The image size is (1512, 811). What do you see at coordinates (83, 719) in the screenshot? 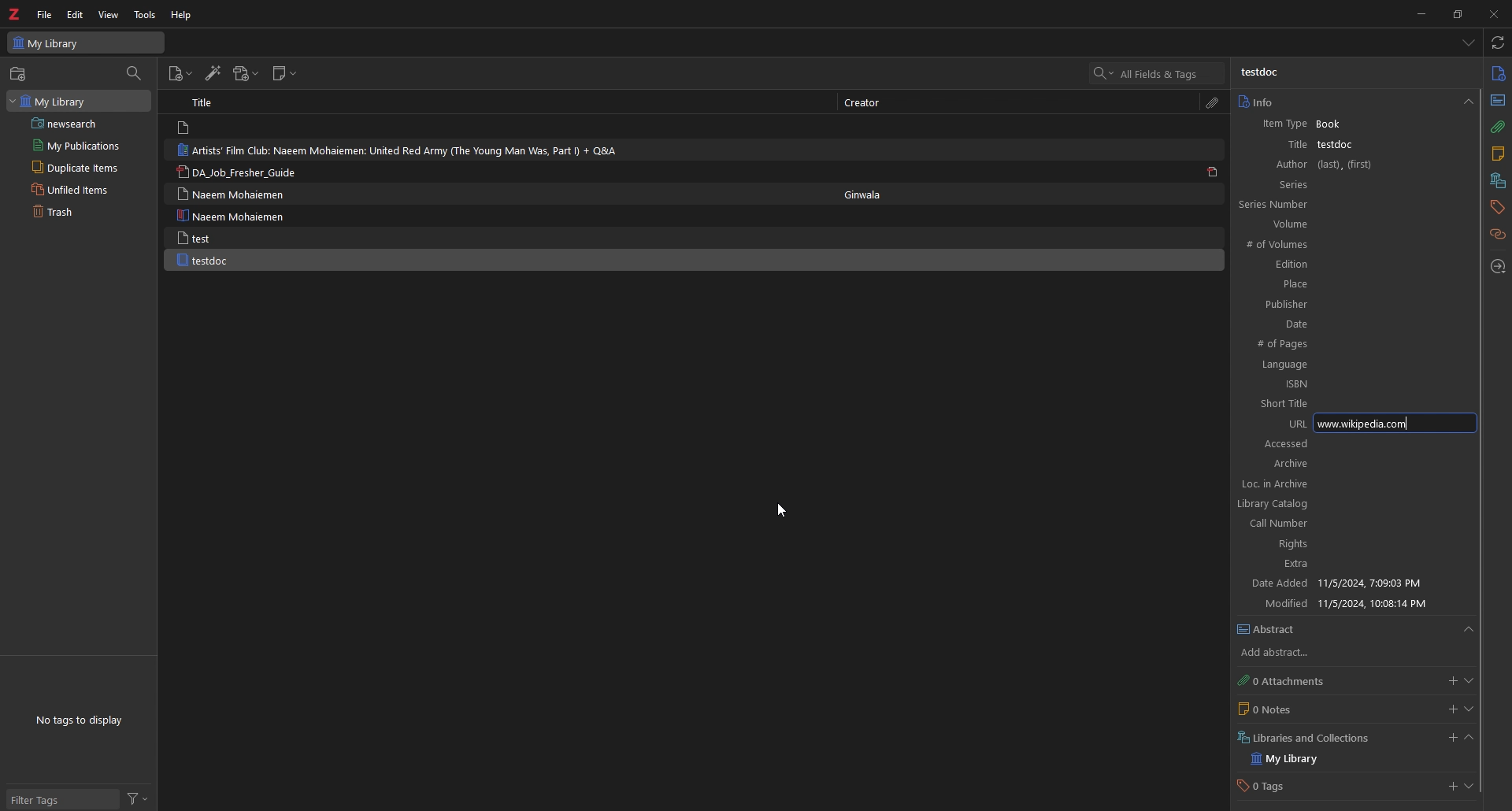
I see `No tags to display` at bounding box center [83, 719].